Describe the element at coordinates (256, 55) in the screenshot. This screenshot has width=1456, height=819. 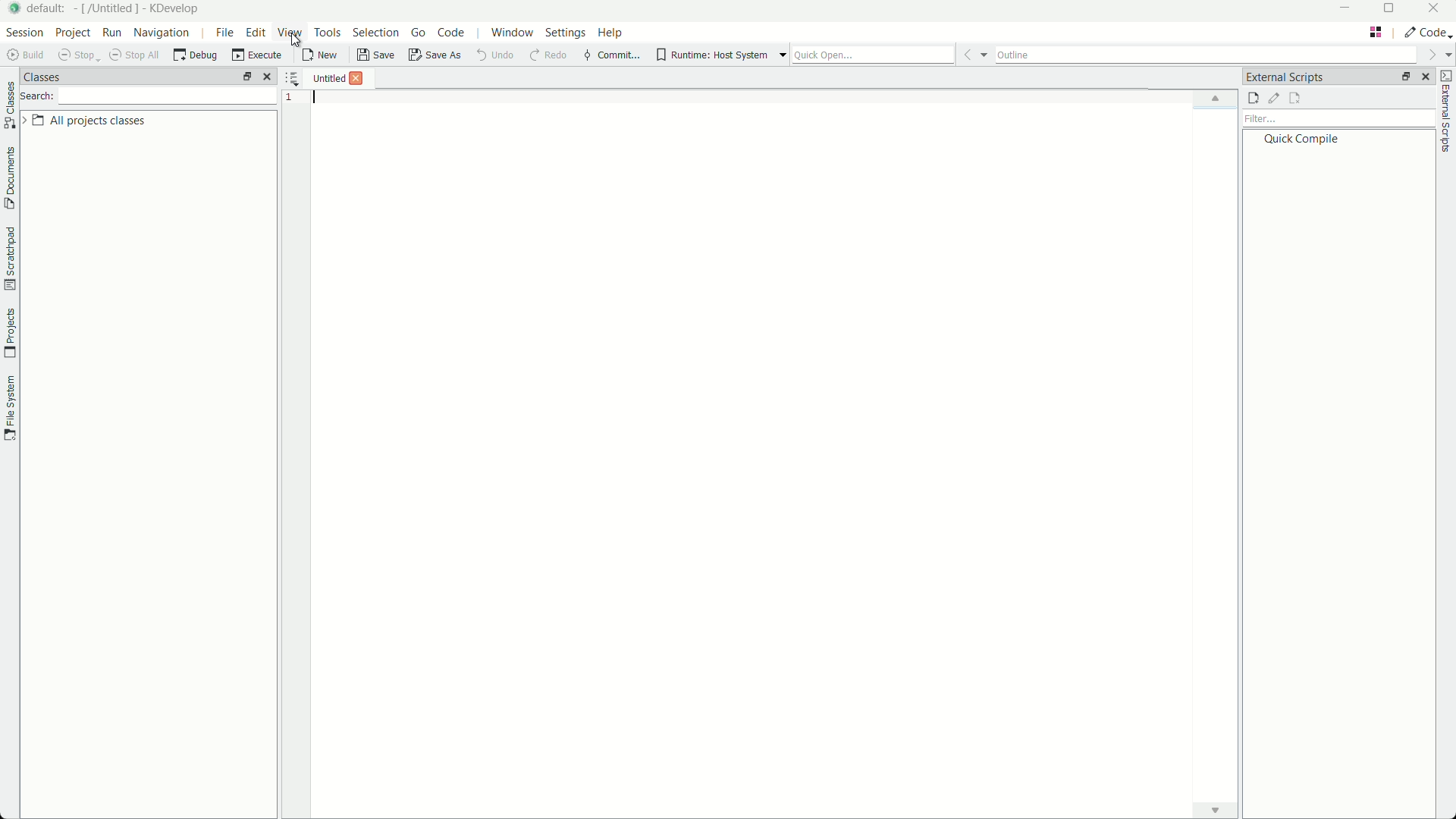
I see `execute` at that location.